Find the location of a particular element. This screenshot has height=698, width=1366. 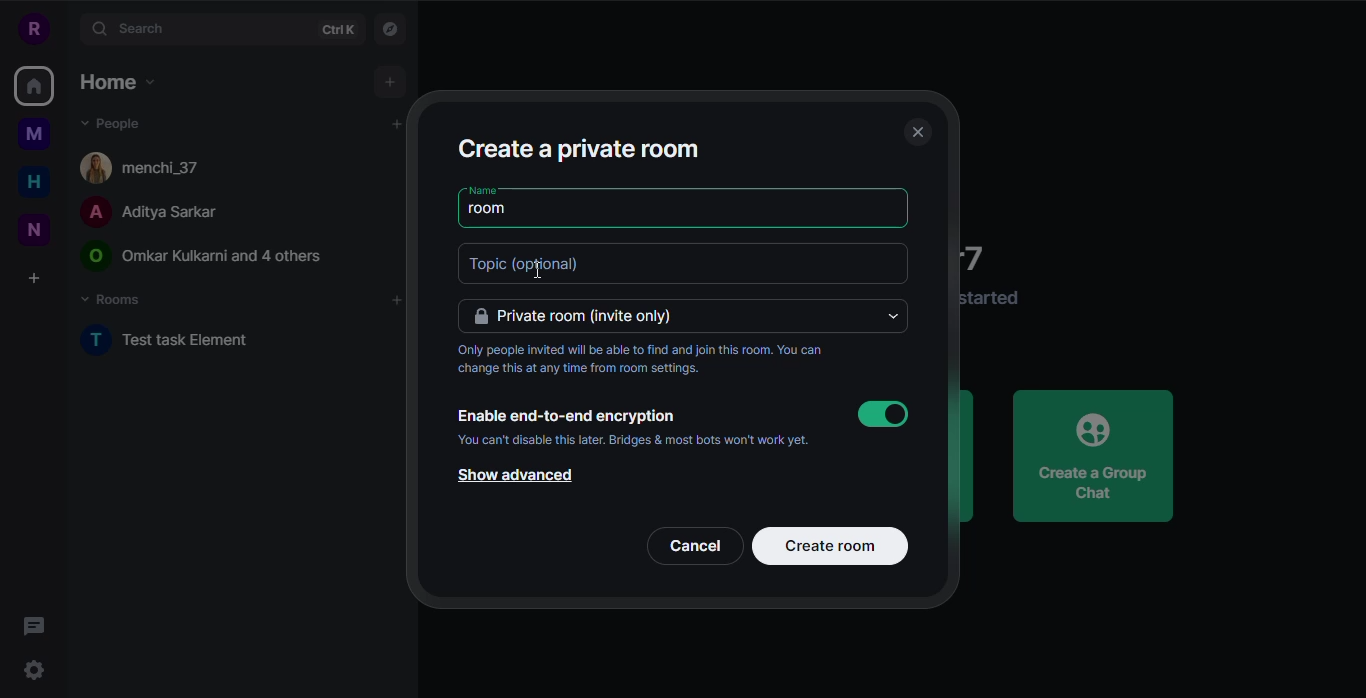

info is located at coordinates (652, 361).